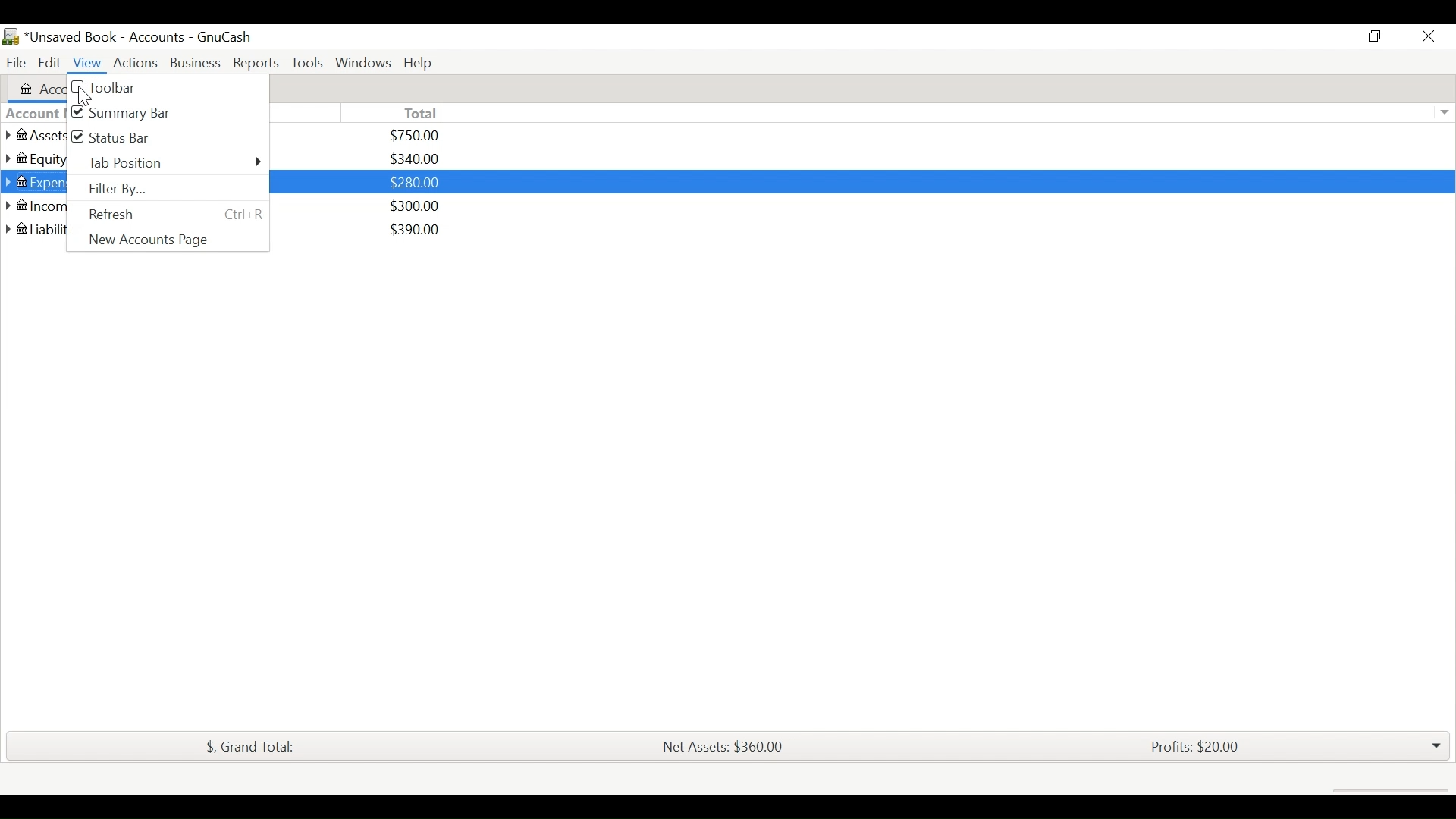  Describe the element at coordinates (417, 182) in the screenshot. I see `$280.00` at that location.